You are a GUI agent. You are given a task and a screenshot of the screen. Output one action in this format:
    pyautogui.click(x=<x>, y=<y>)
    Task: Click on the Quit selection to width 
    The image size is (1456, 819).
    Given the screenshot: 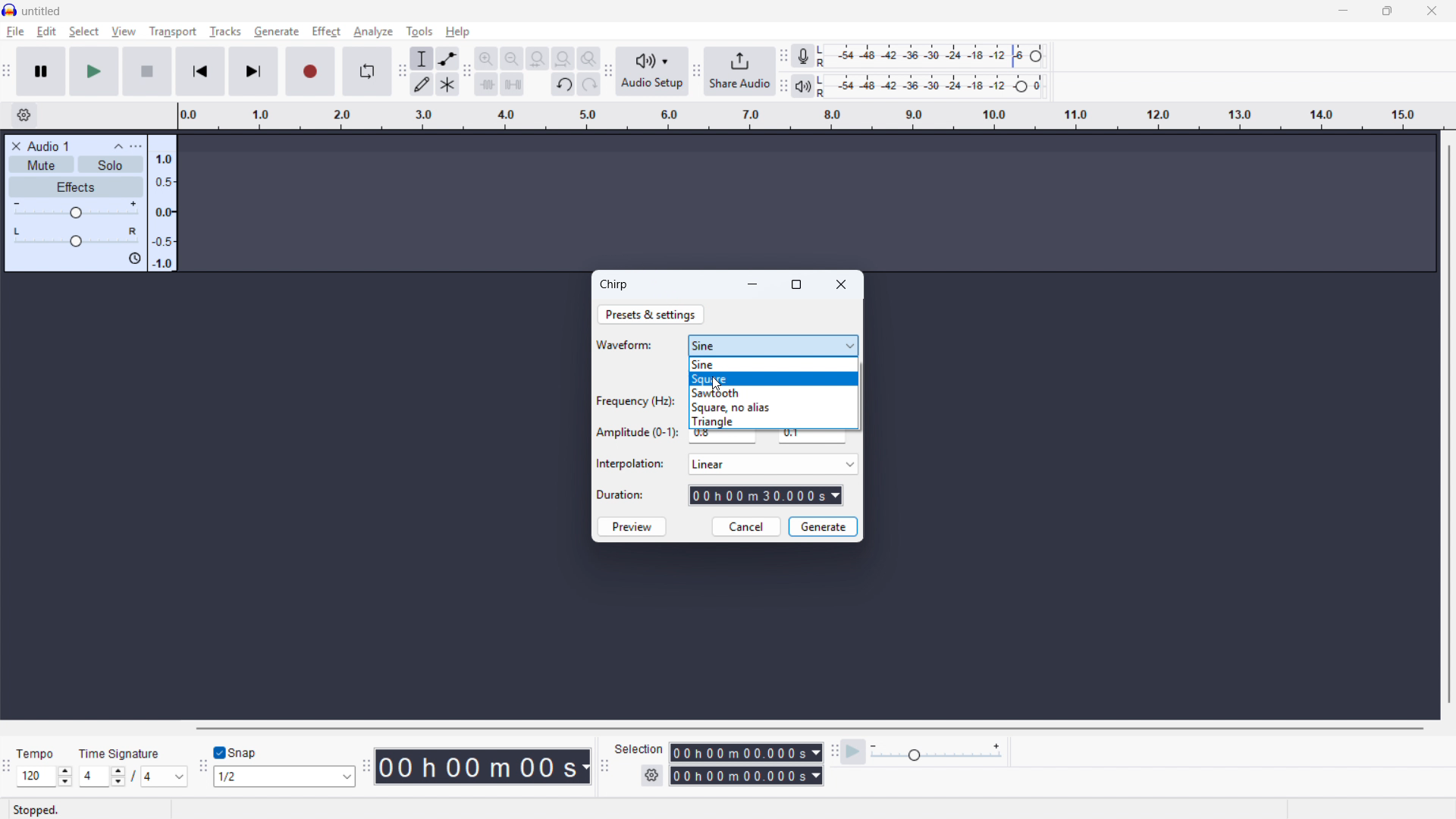 What is the action you would take?
    pyautogui.click(x=538, y=59)
    